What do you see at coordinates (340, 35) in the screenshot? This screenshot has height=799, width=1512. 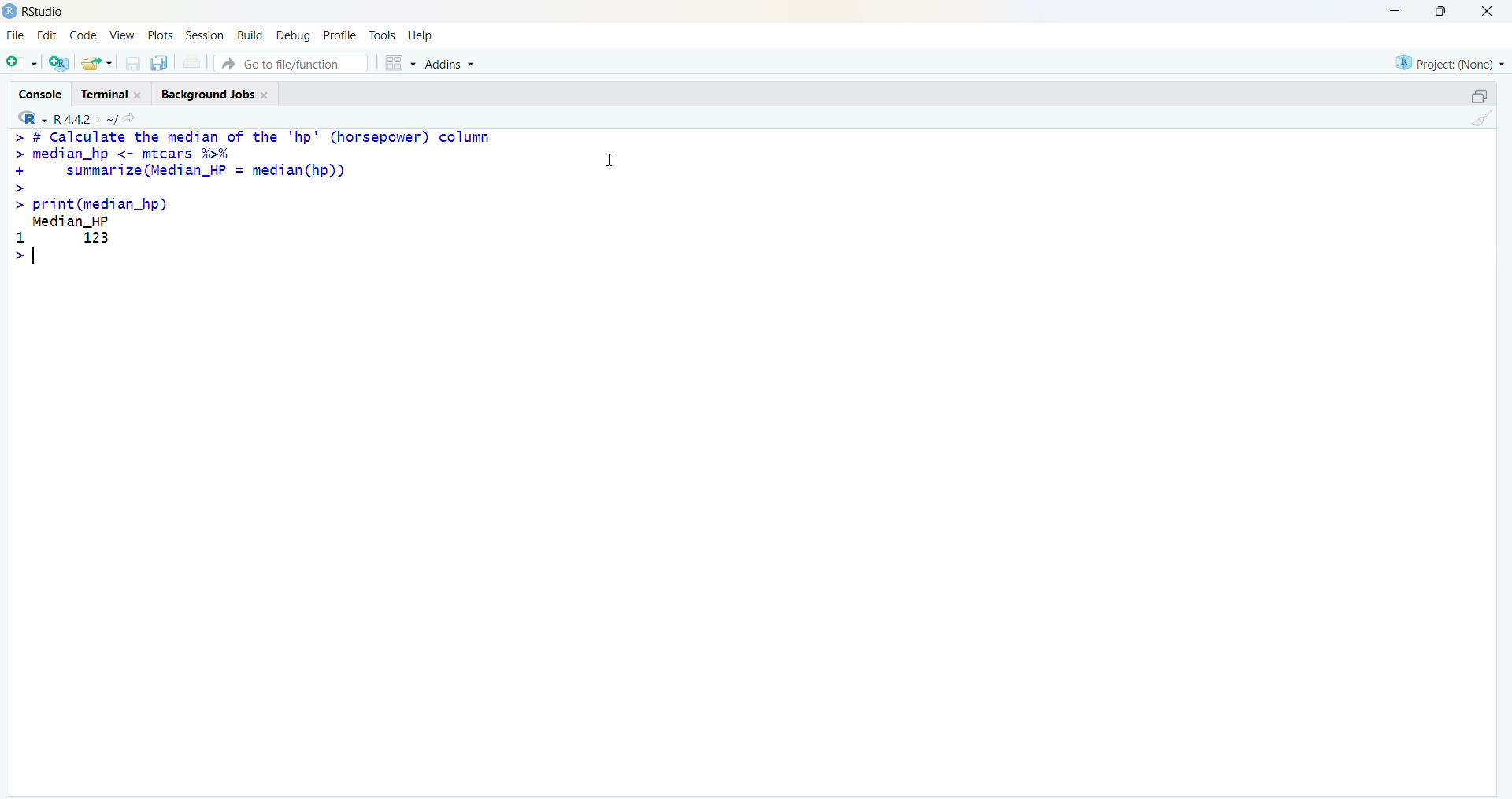 I see `profile` at bounding box center [340, 35].